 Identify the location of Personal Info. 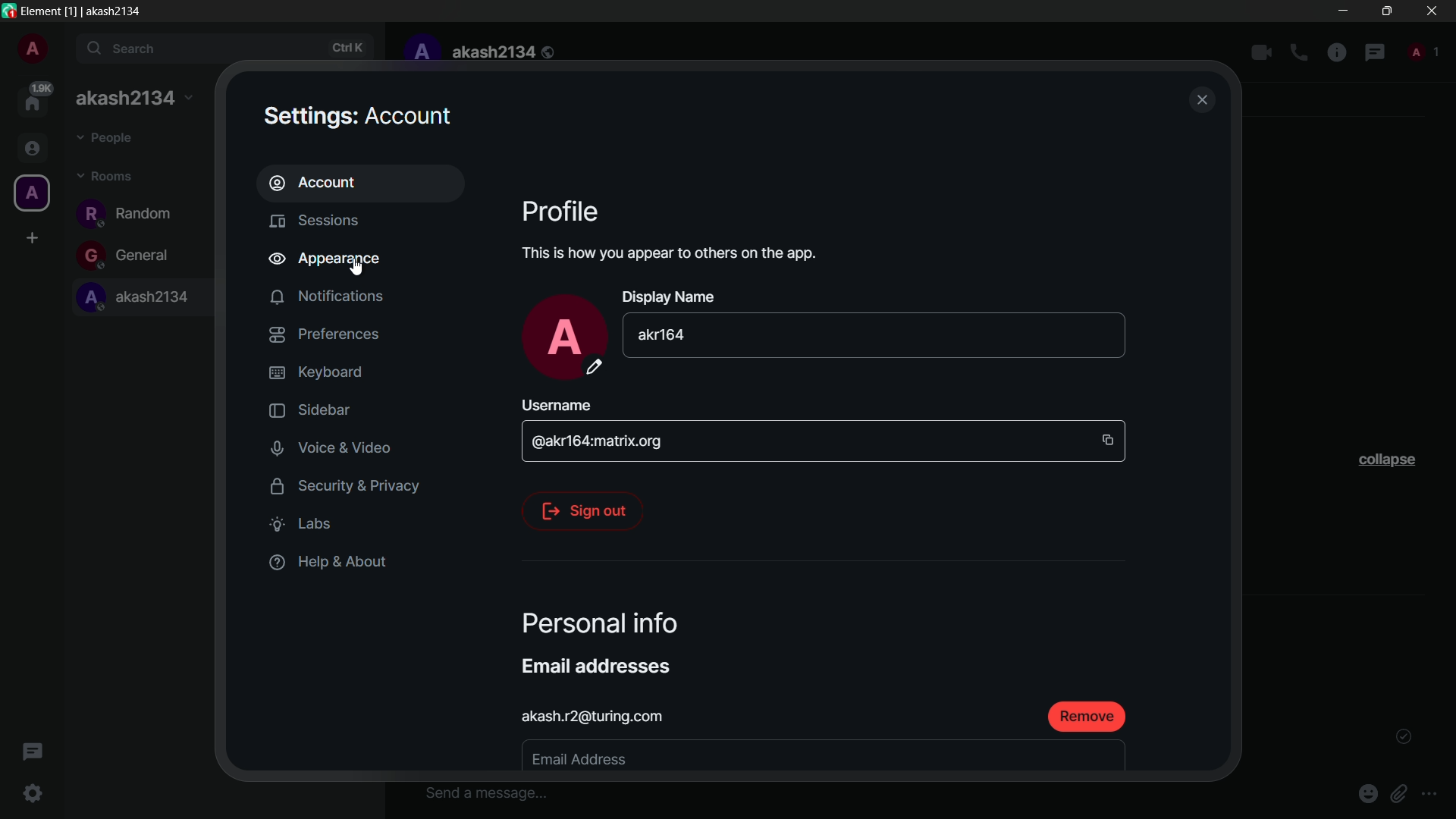
(600, 623).